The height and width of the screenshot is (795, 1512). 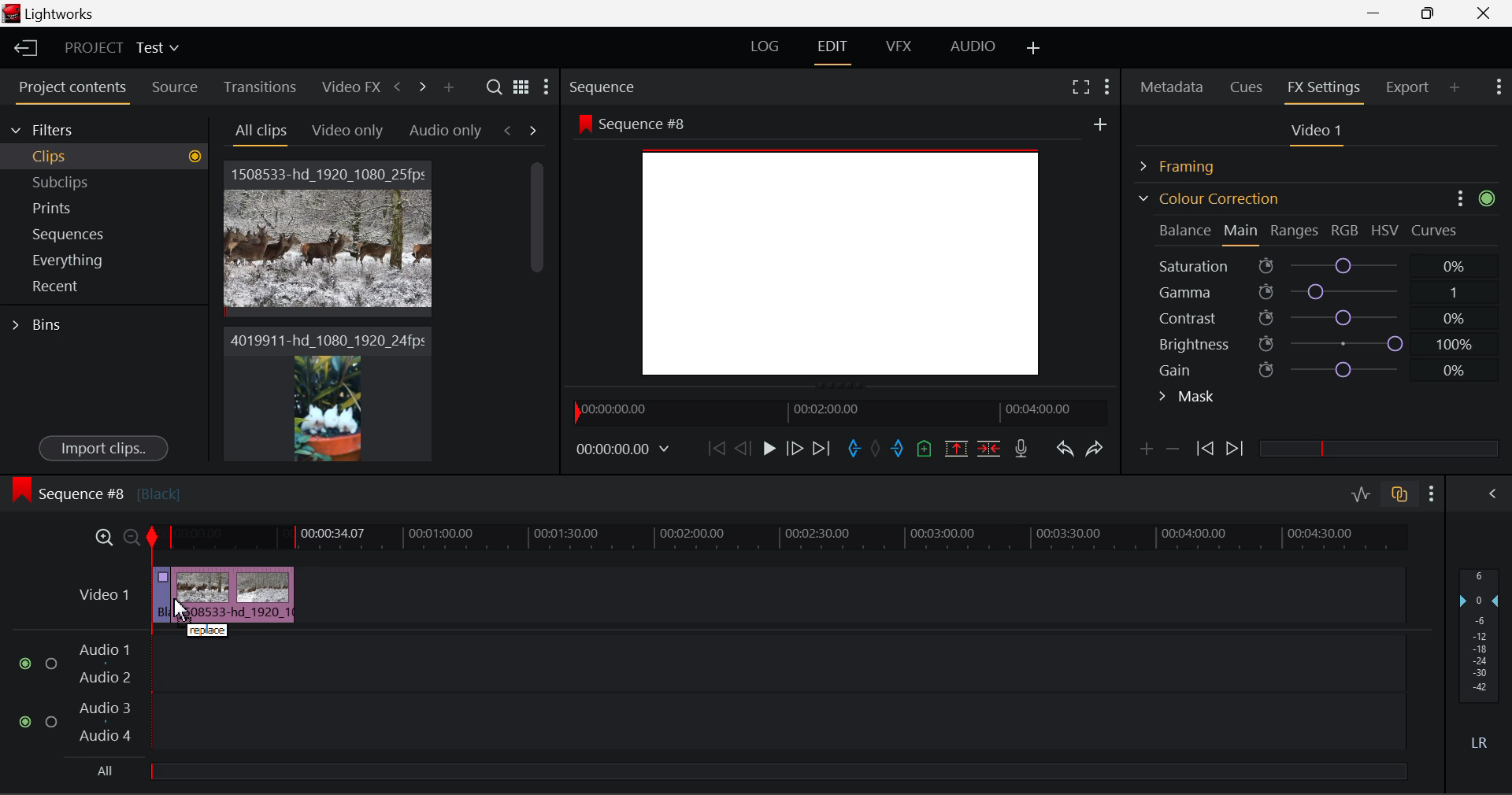 I want to click on Subclips, so click(x=76, y=182).